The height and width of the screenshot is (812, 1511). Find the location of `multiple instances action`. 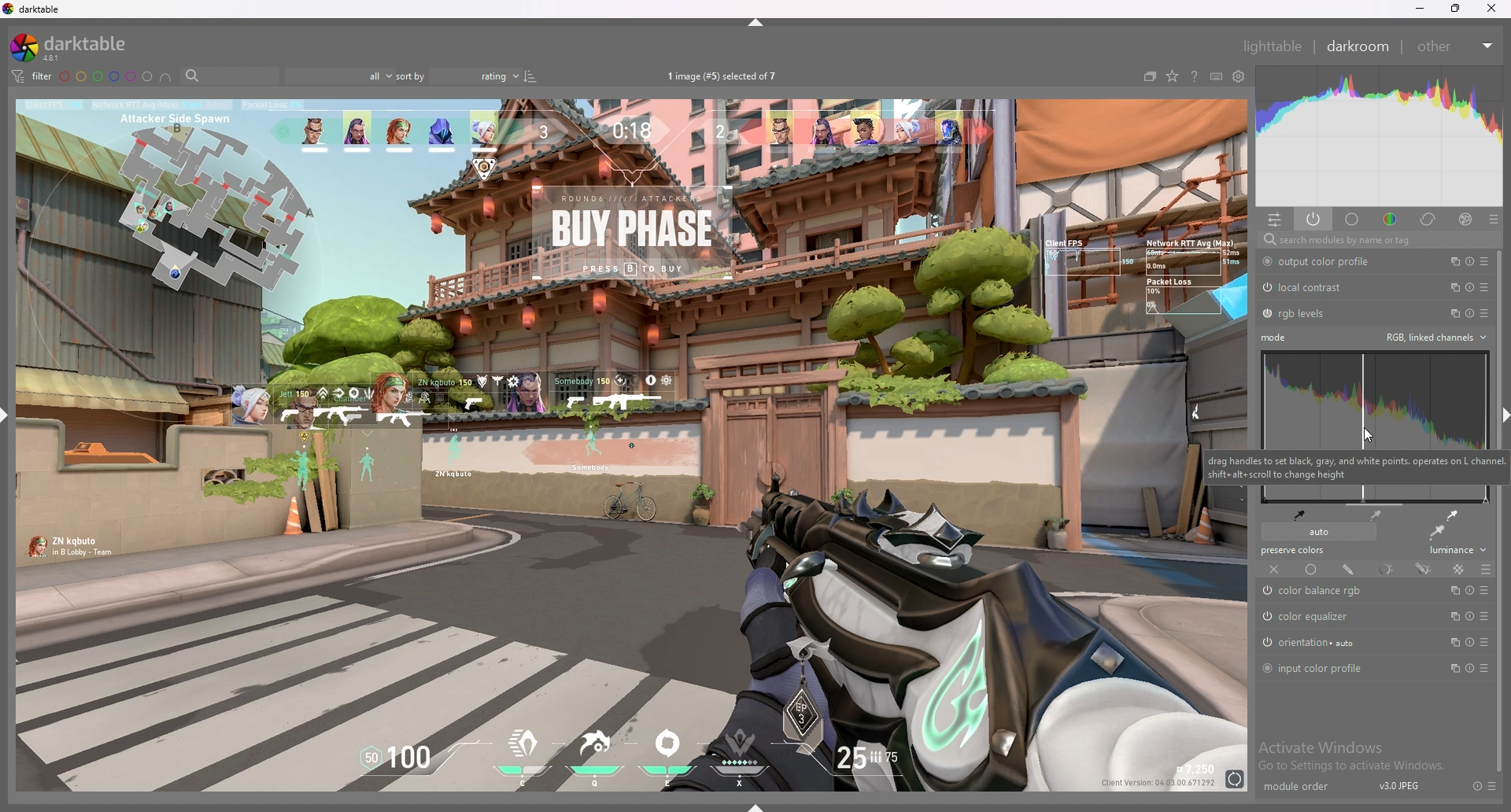

multiple instances action is located at coordinates (1450, 261).